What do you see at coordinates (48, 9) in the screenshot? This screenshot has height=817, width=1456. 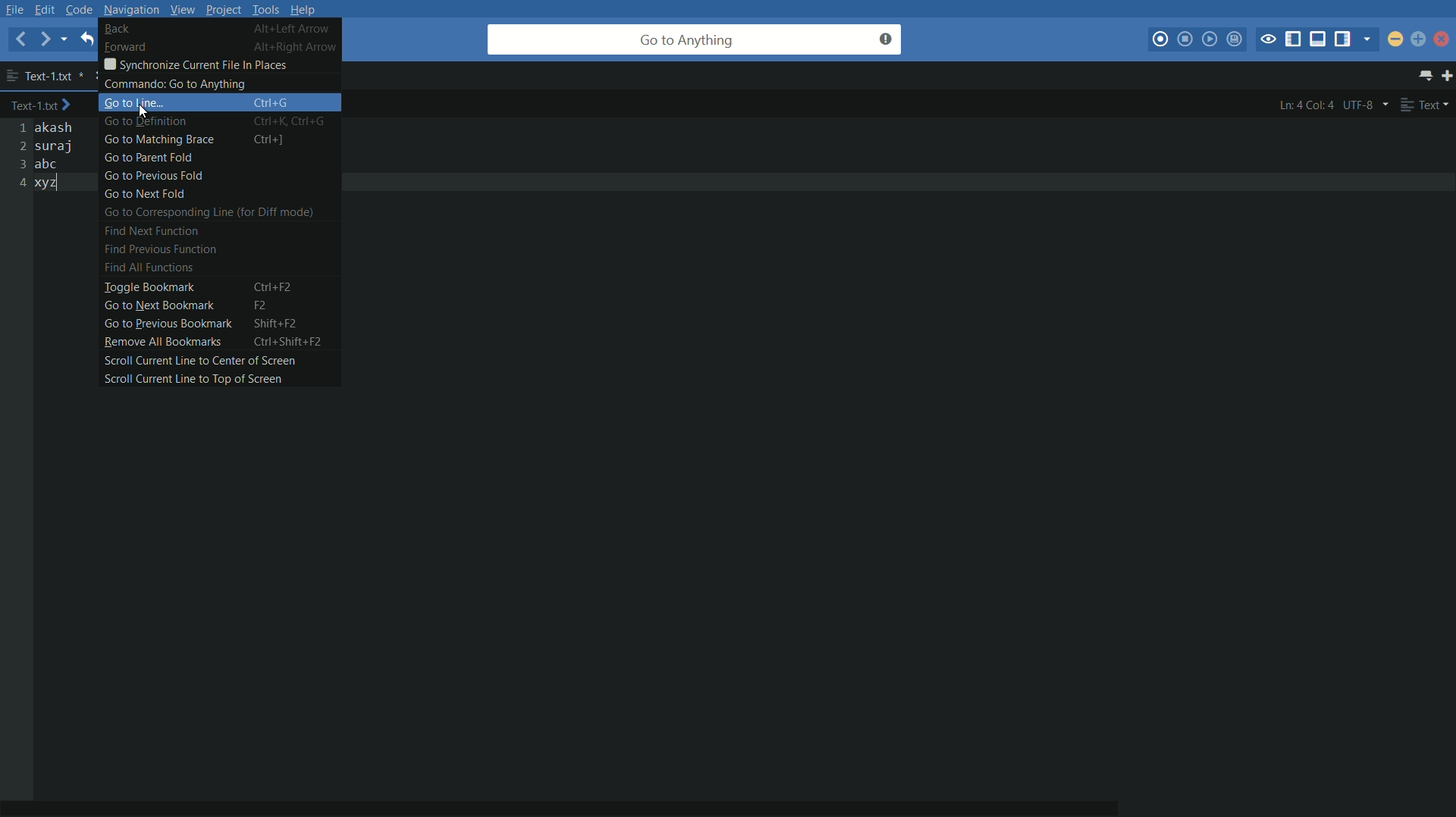 I see `edit ` at bounding box center [48, 9].